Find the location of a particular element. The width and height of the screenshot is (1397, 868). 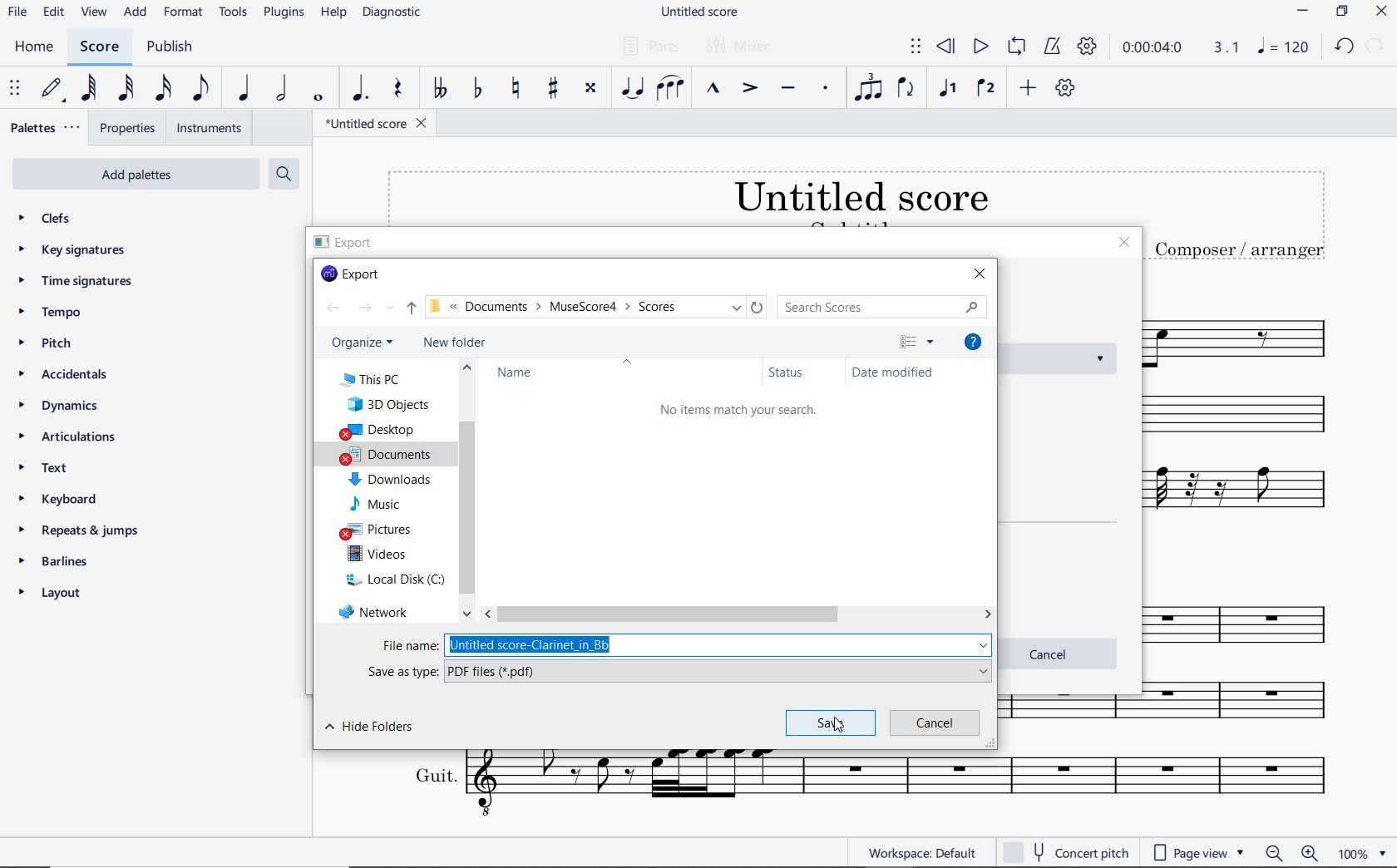

TITLE is located at coordinates (1237, 218).